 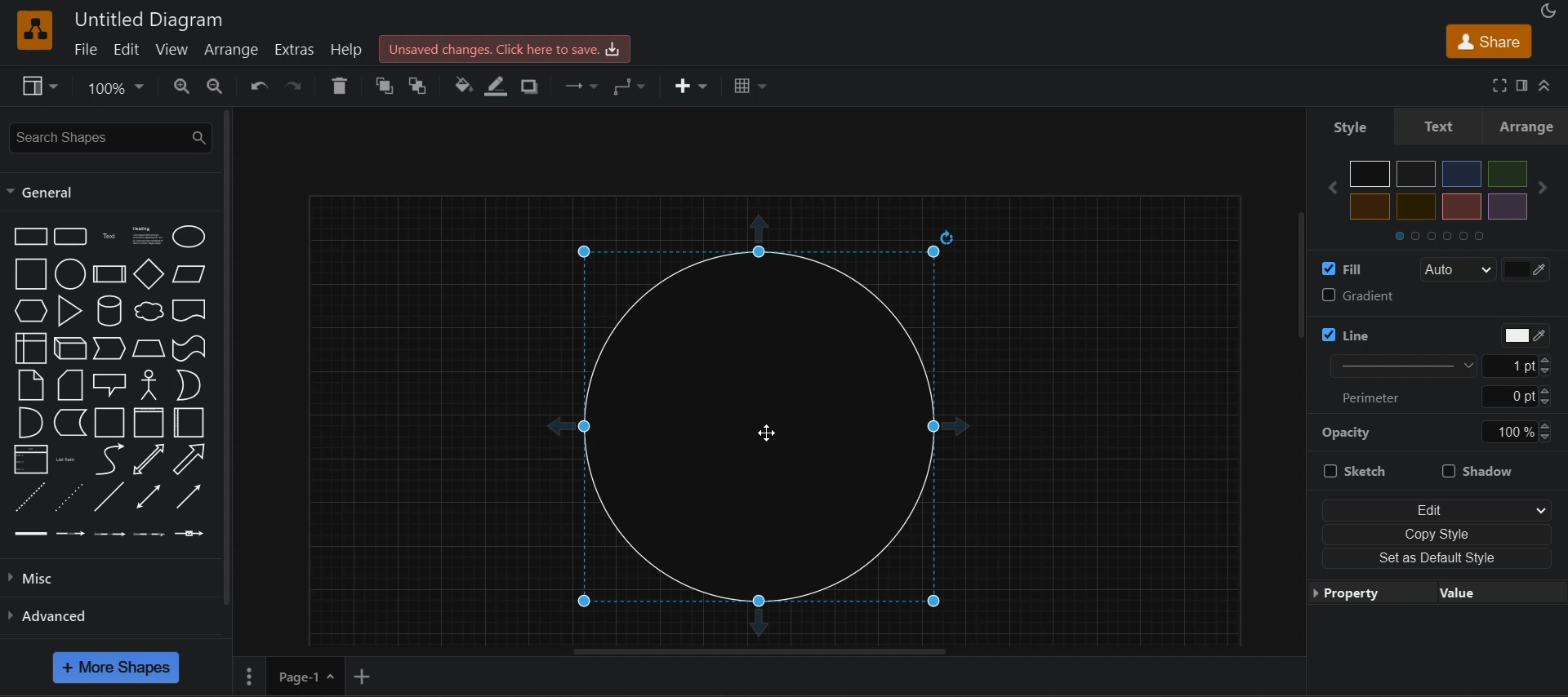 I want to click on collapase/expand, so click(x=1548, y=87).